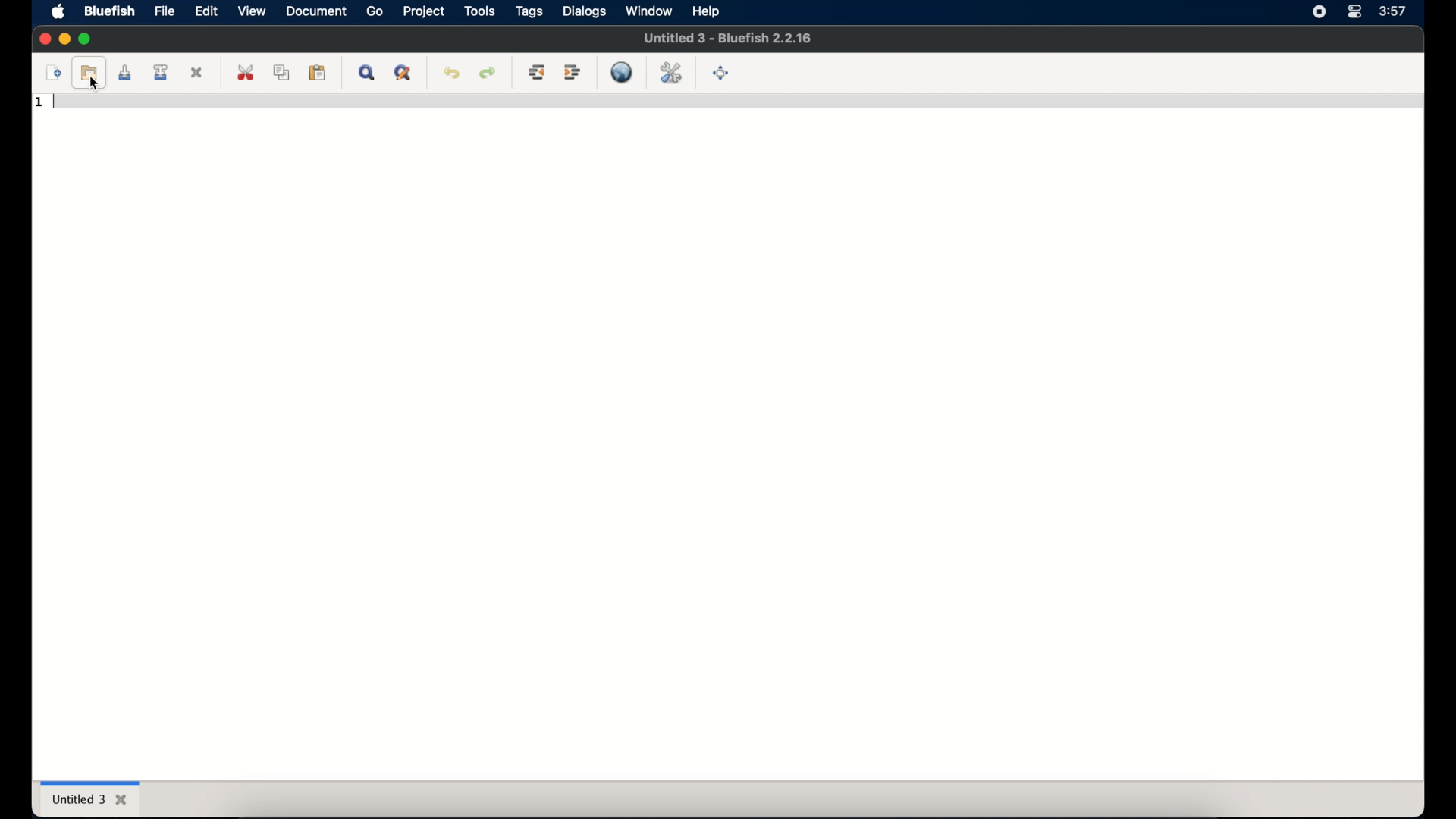  What do you see at coordinates (44, 39) in the screenshot?
I see `close` at bounding box center [44, 39].